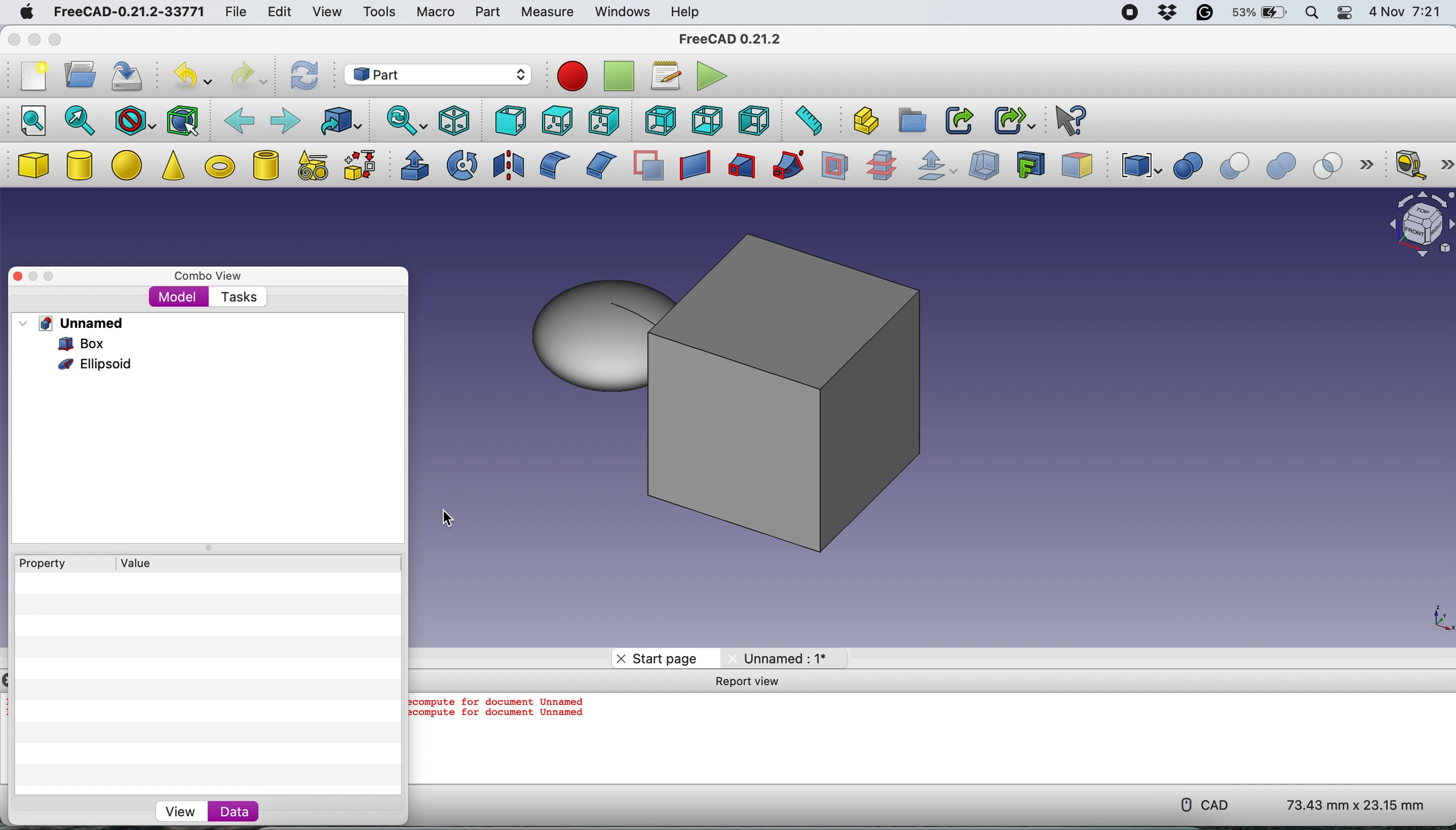 The image size is (1456, 830). I want to click on left, so click(756, 120).